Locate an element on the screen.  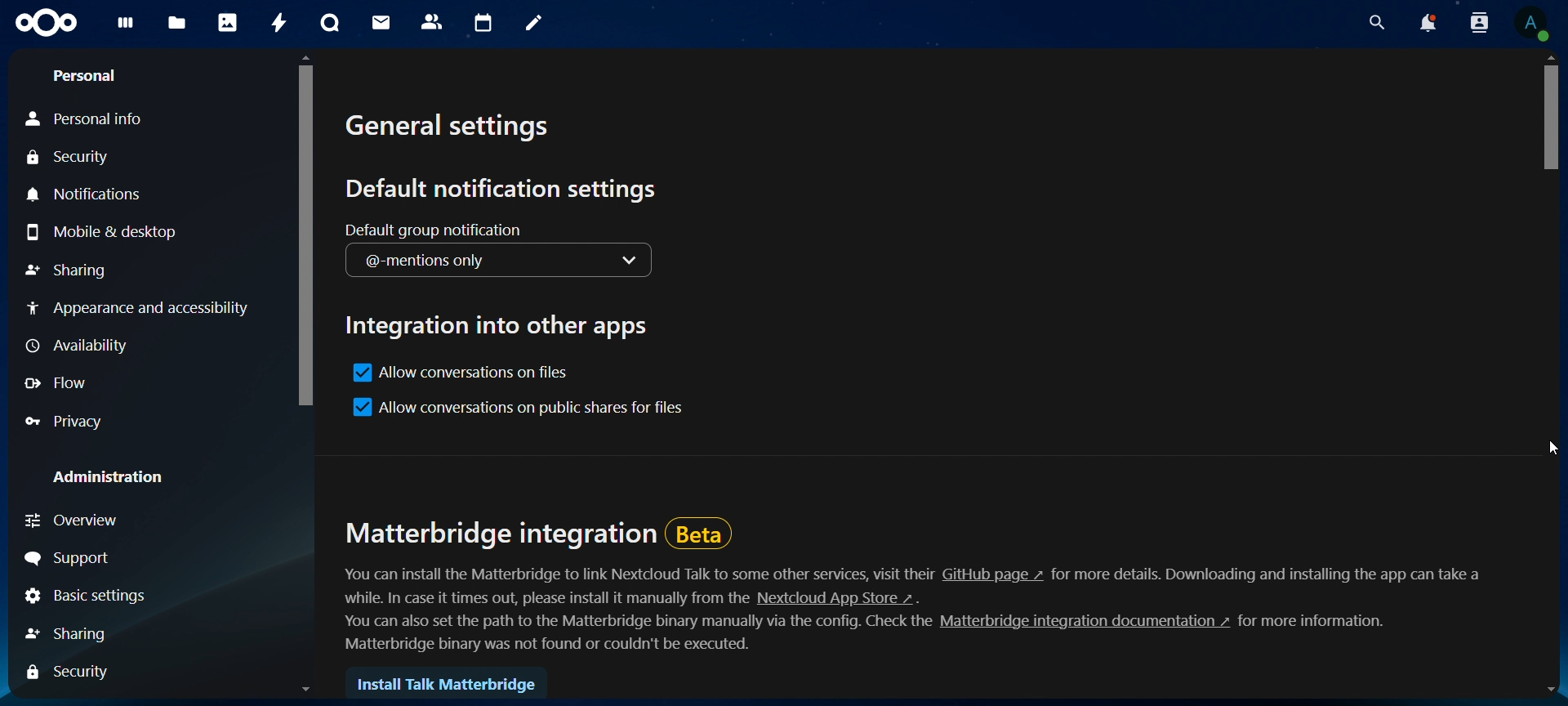
llow conversations on piblic shares for files is located at coordinates (521, 405).